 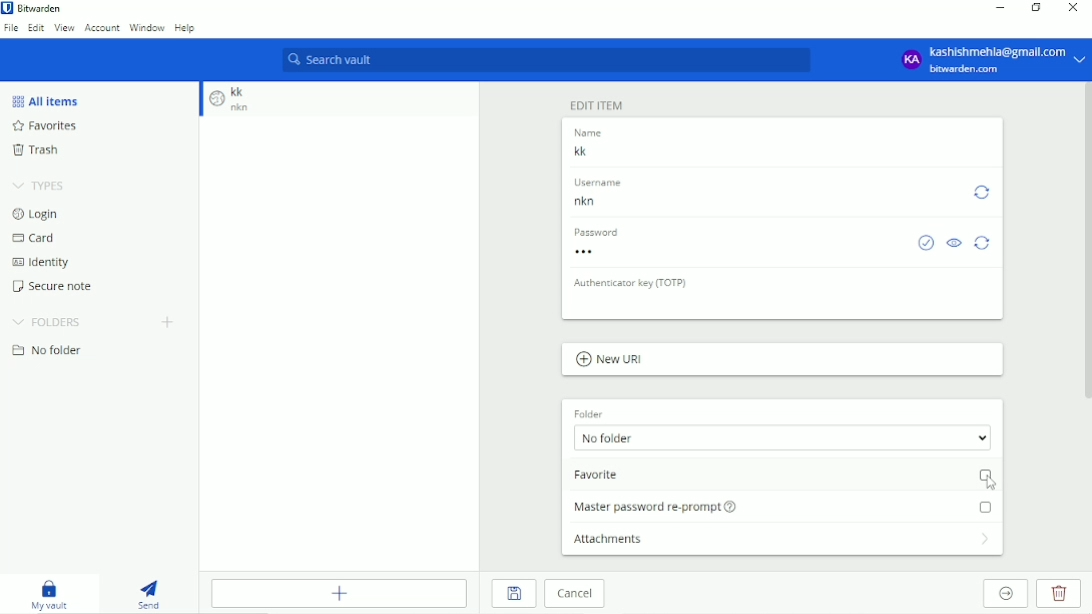 What do you see at coordinates (186, 29) in the screenshot?
I see `Help` at bounding box center [186, 29].